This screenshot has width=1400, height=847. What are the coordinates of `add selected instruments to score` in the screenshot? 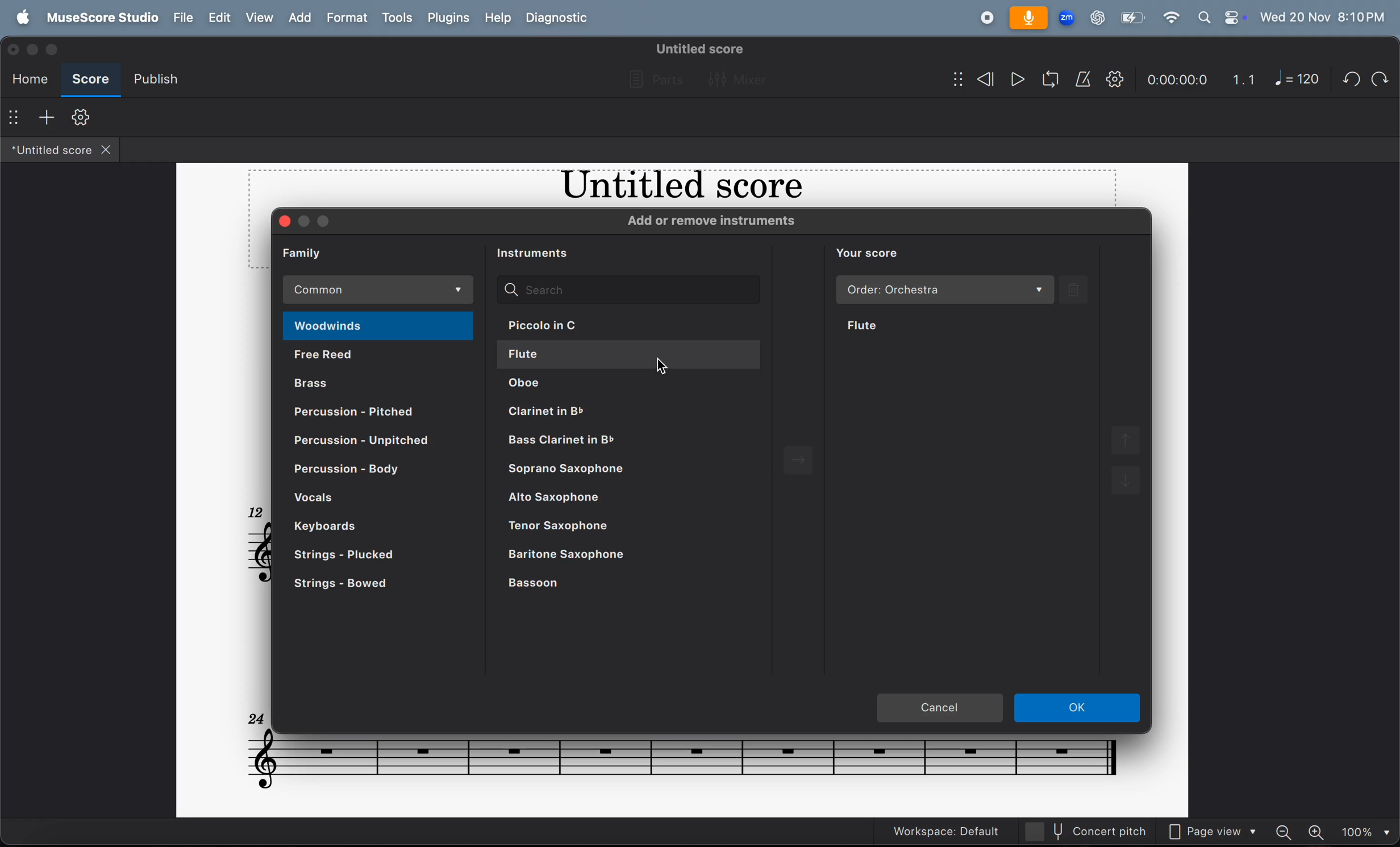 It's located at (810, 460).